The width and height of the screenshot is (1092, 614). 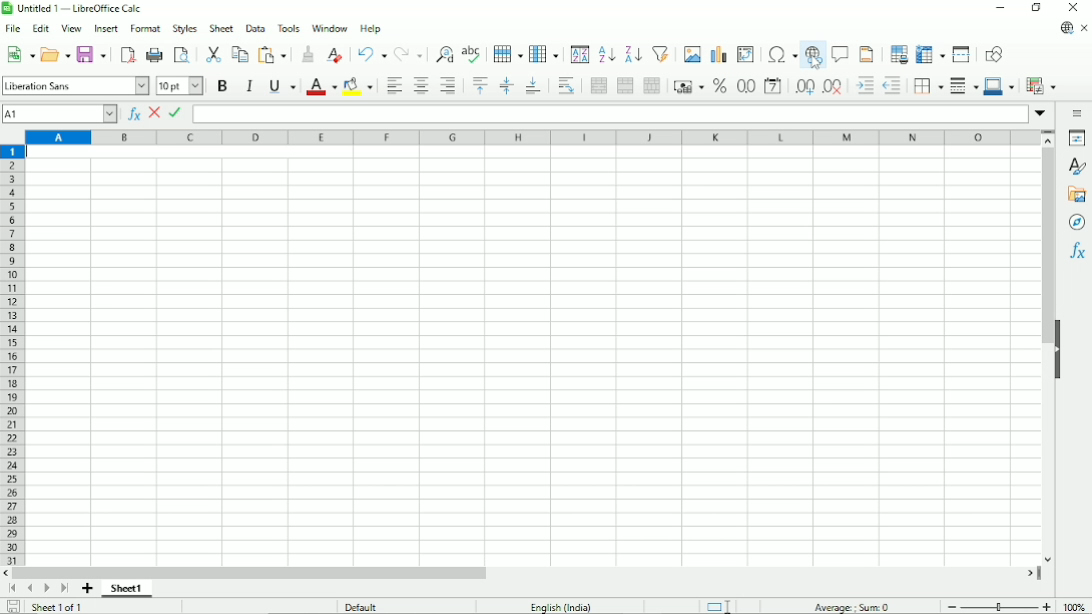 What do you see at coordinates (249, 85) in the screenshot?
I see `Italic` at bounding box center [249, 85].